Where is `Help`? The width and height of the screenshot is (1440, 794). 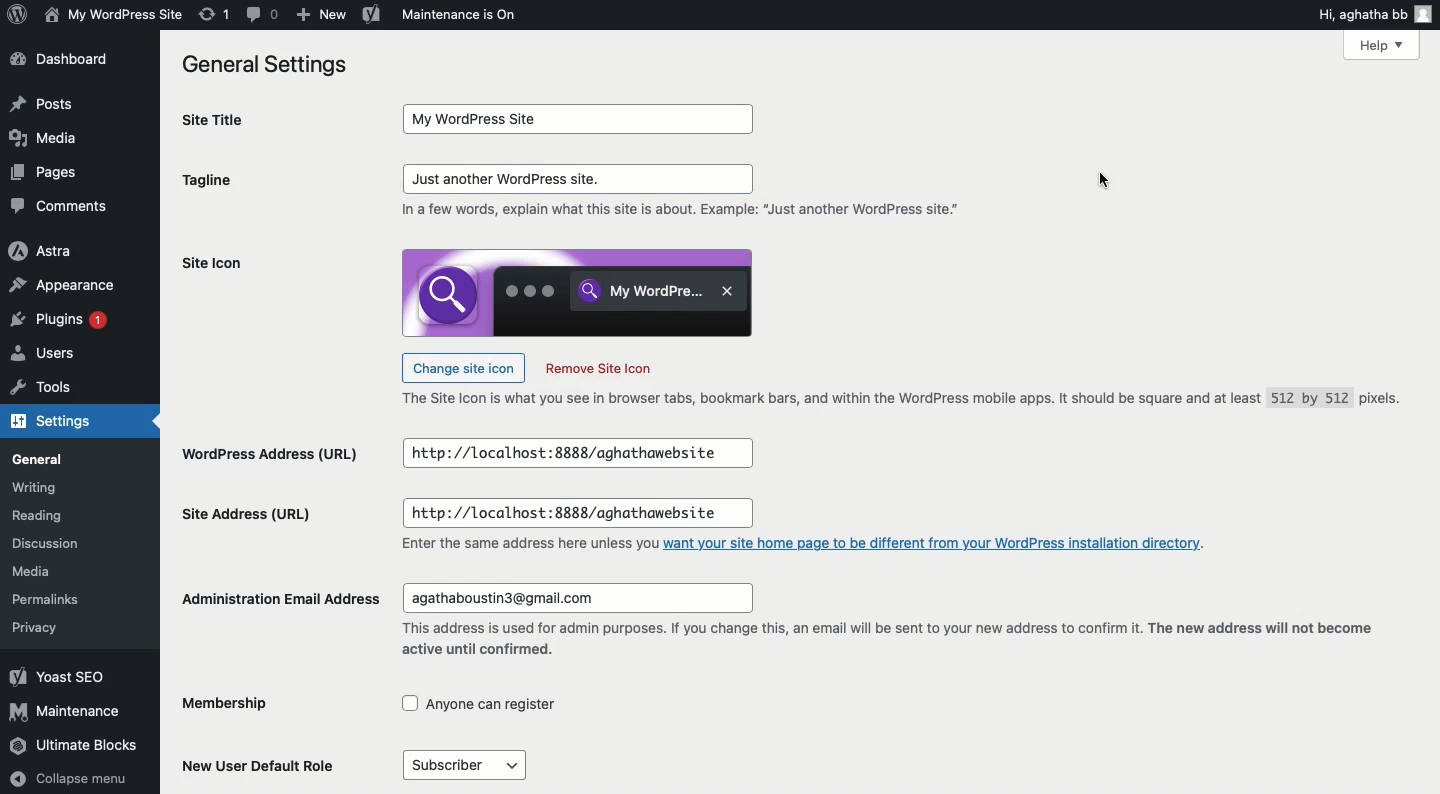 Help is located at coordinates (1381, 44).